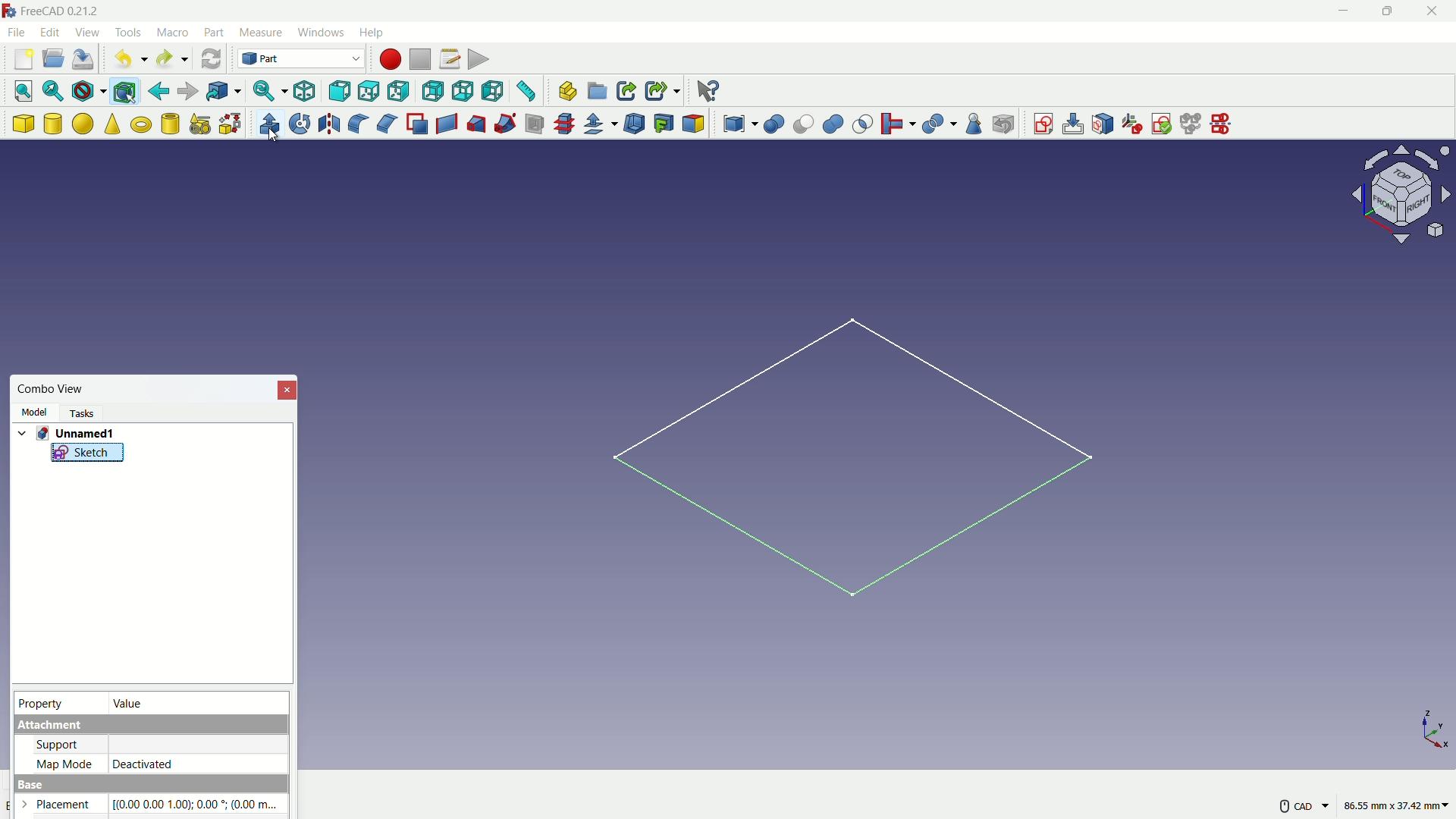 Image resolution: width=1456 pixels, height=819 pixels. What do you see at coordinates (463, 90) in the screenshot?
I see `bottom view` at bounding box center [463, 90].